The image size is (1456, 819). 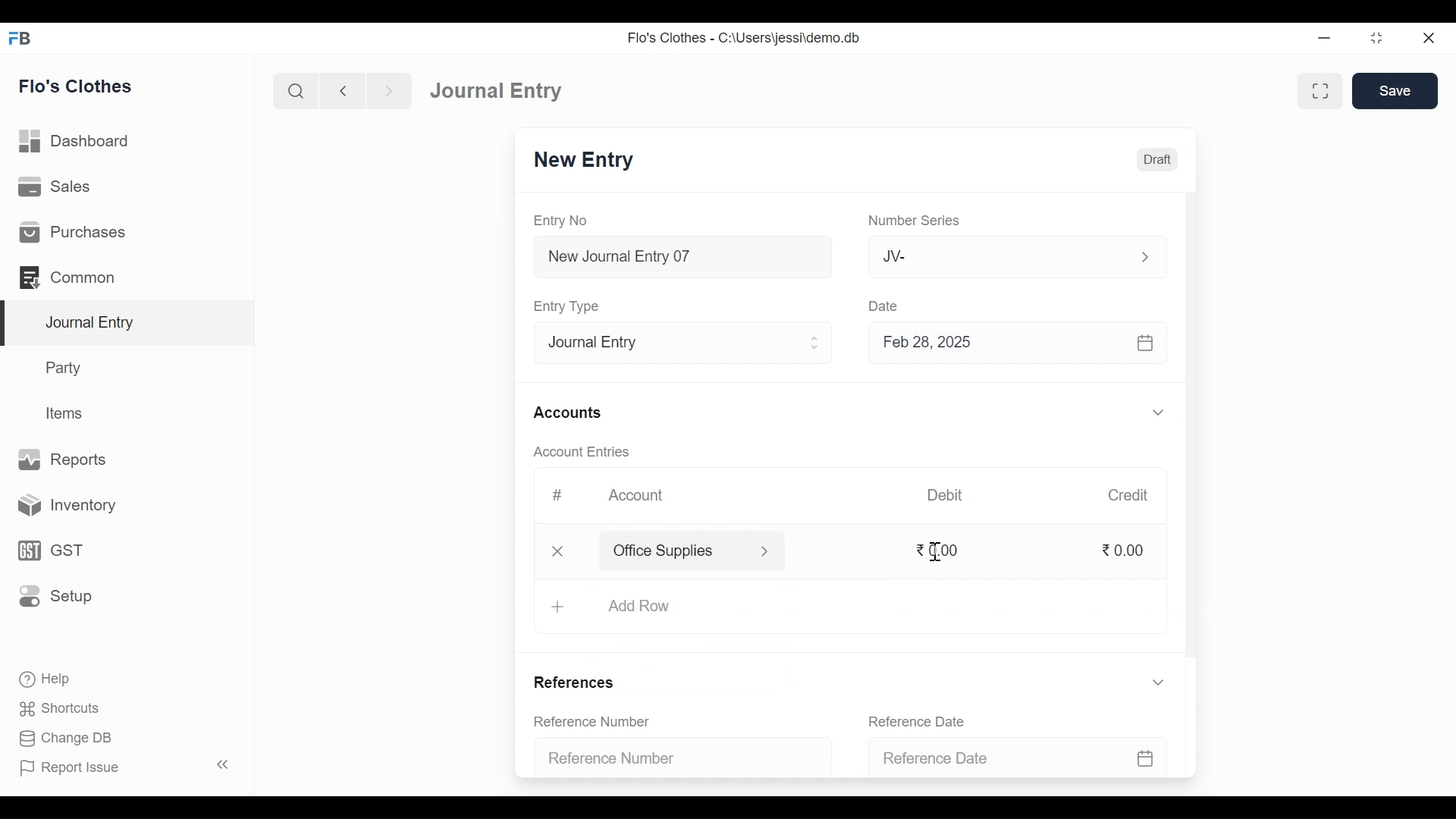 What do you see at coordinates (76, 86) in the screenshot?
I see `Flo's Clothes` at bounding box center [76, 86].